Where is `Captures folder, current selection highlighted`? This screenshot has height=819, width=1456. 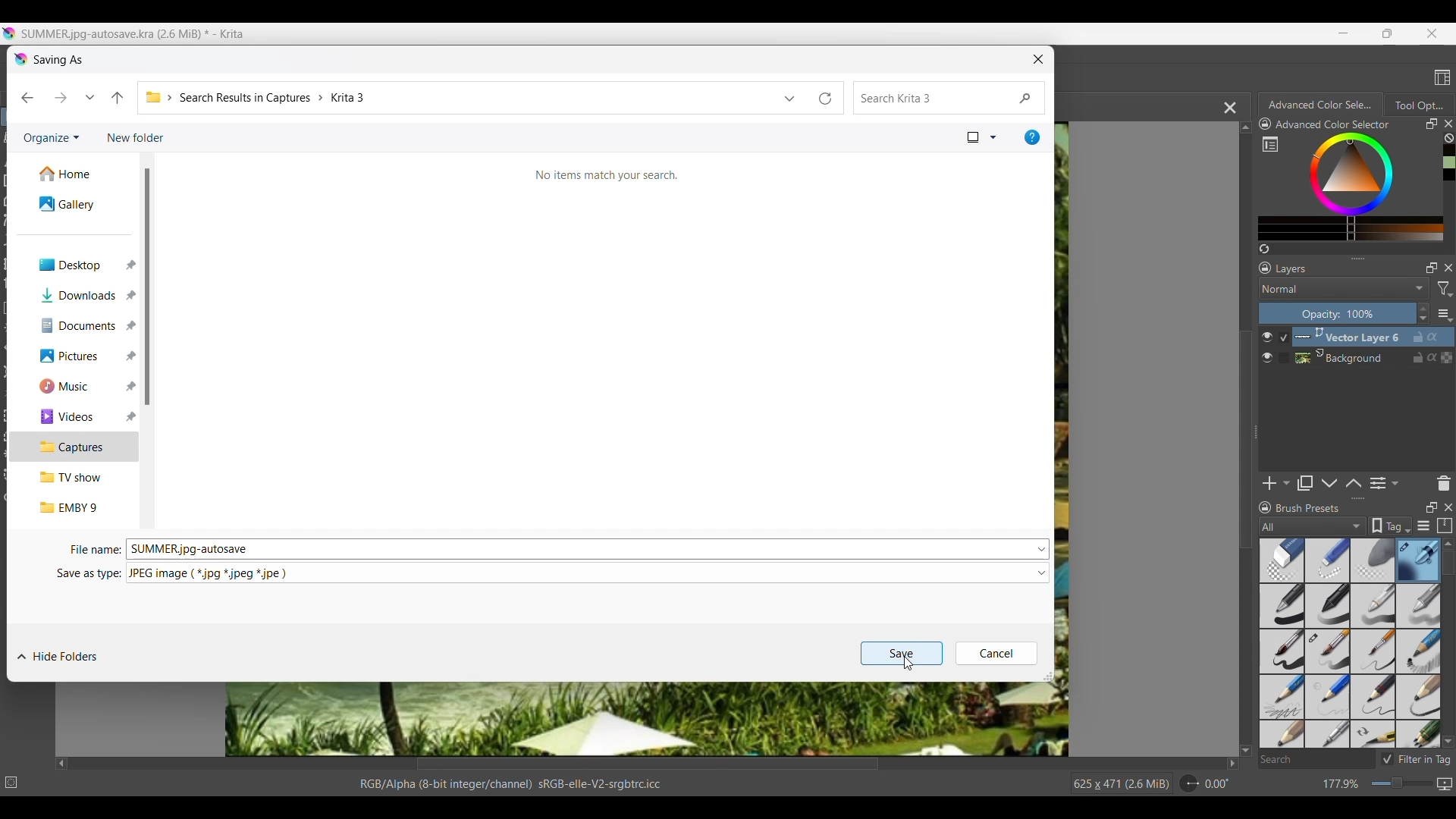
Captures folder, current selection highlighted is located at coordinates (74, 447).